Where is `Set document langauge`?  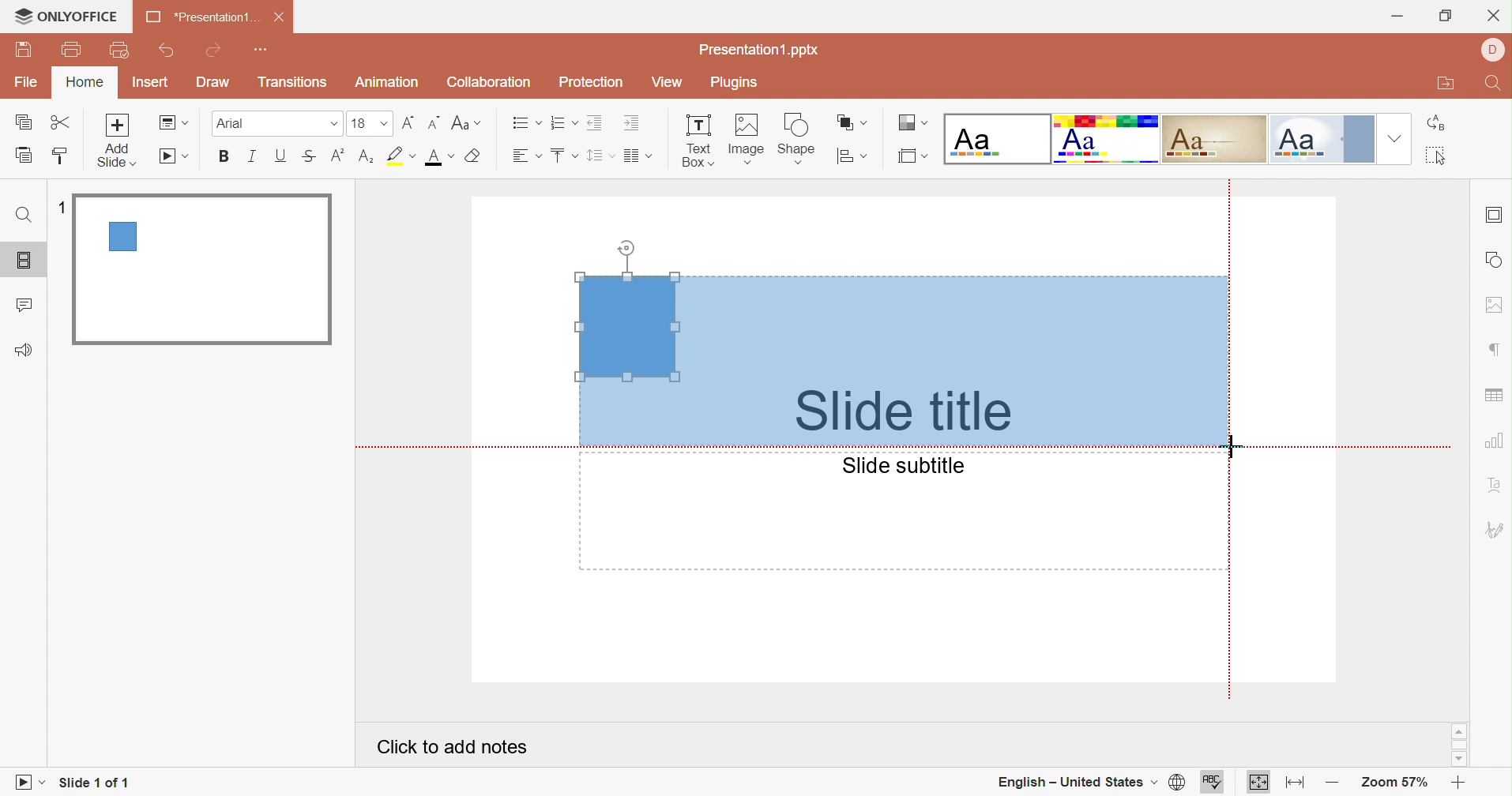
Set document langauge is located at coordinates (1176, 783).